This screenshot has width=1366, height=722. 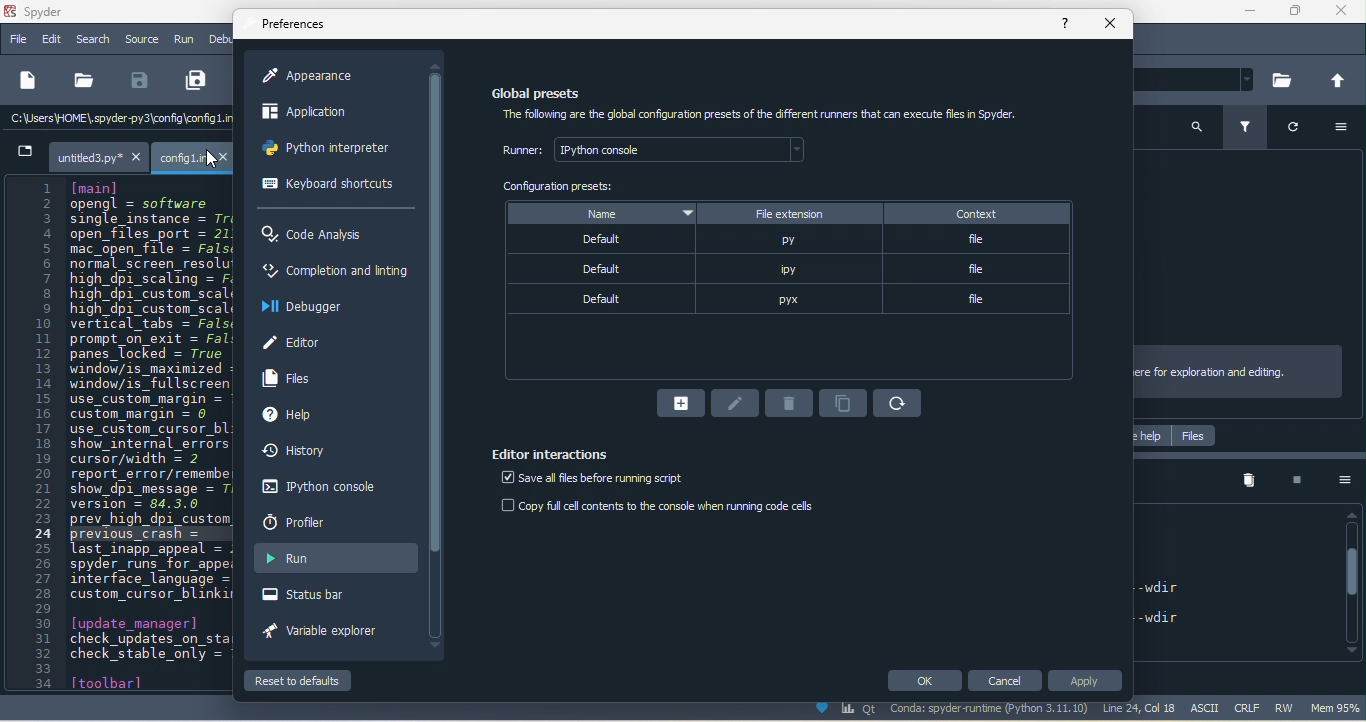 I want to click on close, so click(x=1345, y=15).